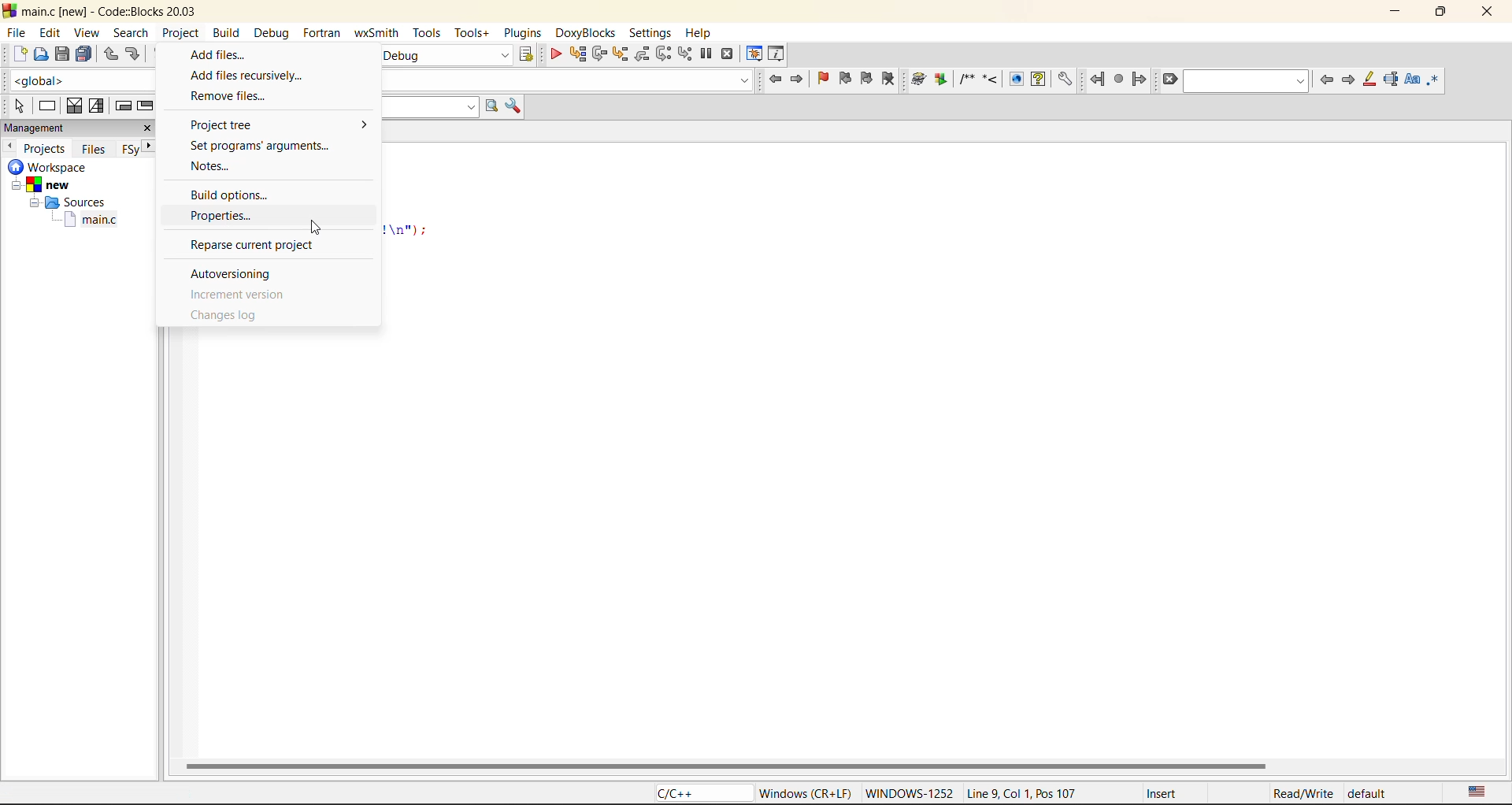  What do you see at coordinates (514, 106) in the screenshot?
I see `show options window` at bounding box center [514, 106].